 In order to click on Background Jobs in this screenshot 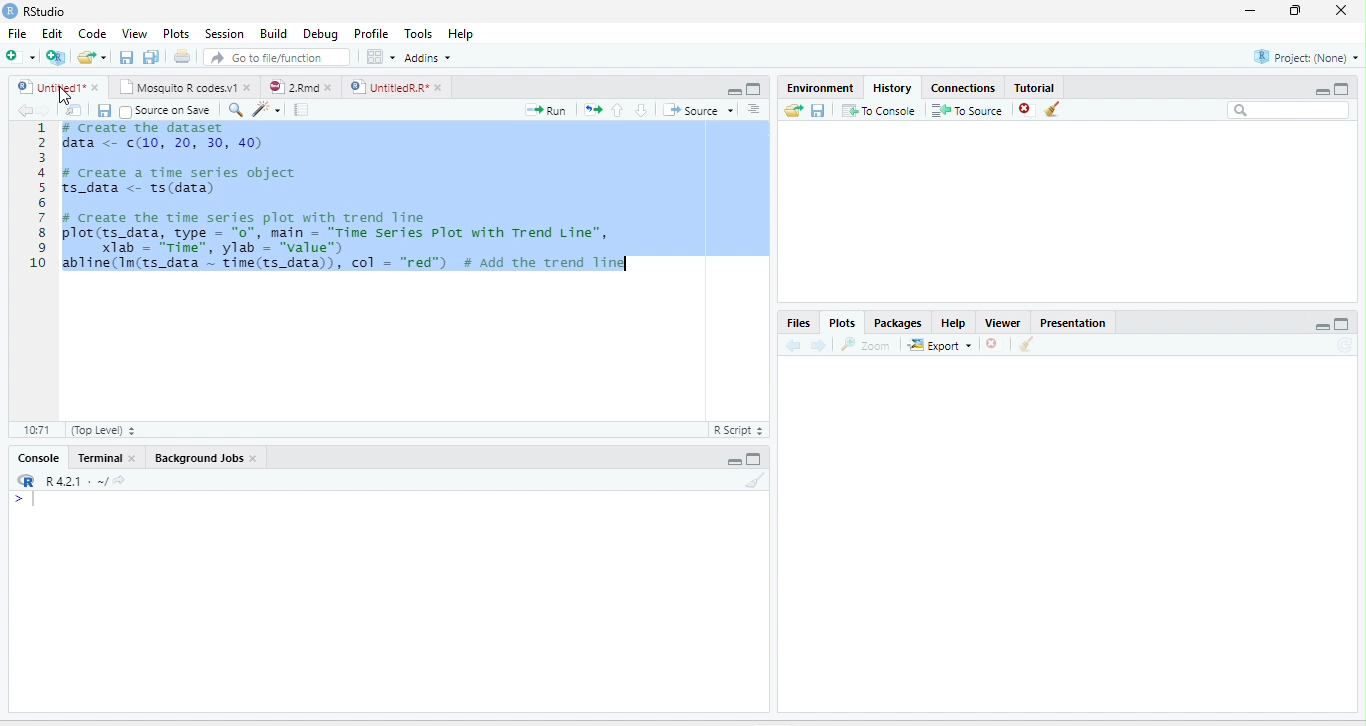, I will do `click(197, 458)`.